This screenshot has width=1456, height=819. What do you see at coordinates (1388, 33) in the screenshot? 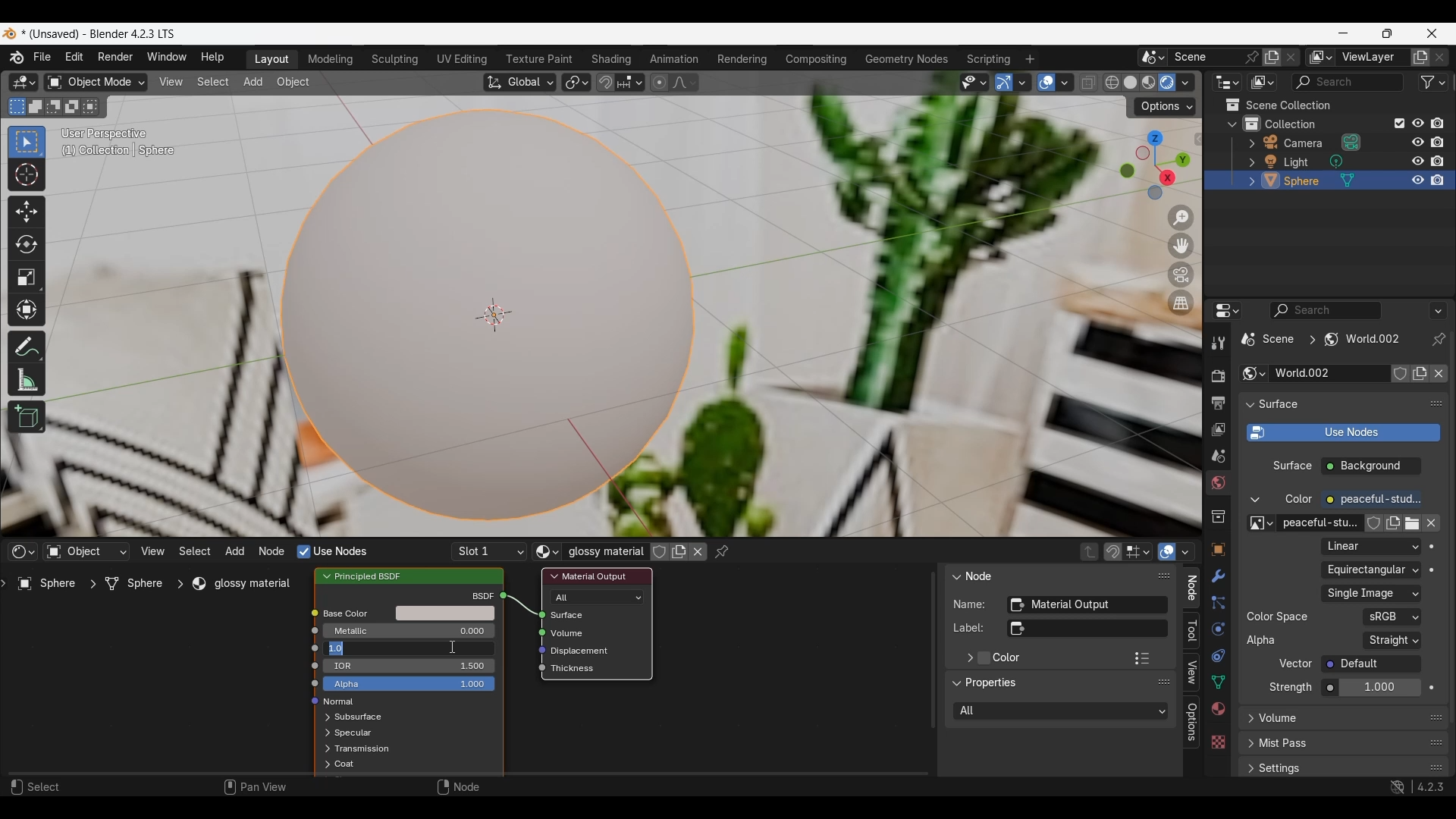
I see `Show interface in a smaller tab` at bounding box center [1388, 33].